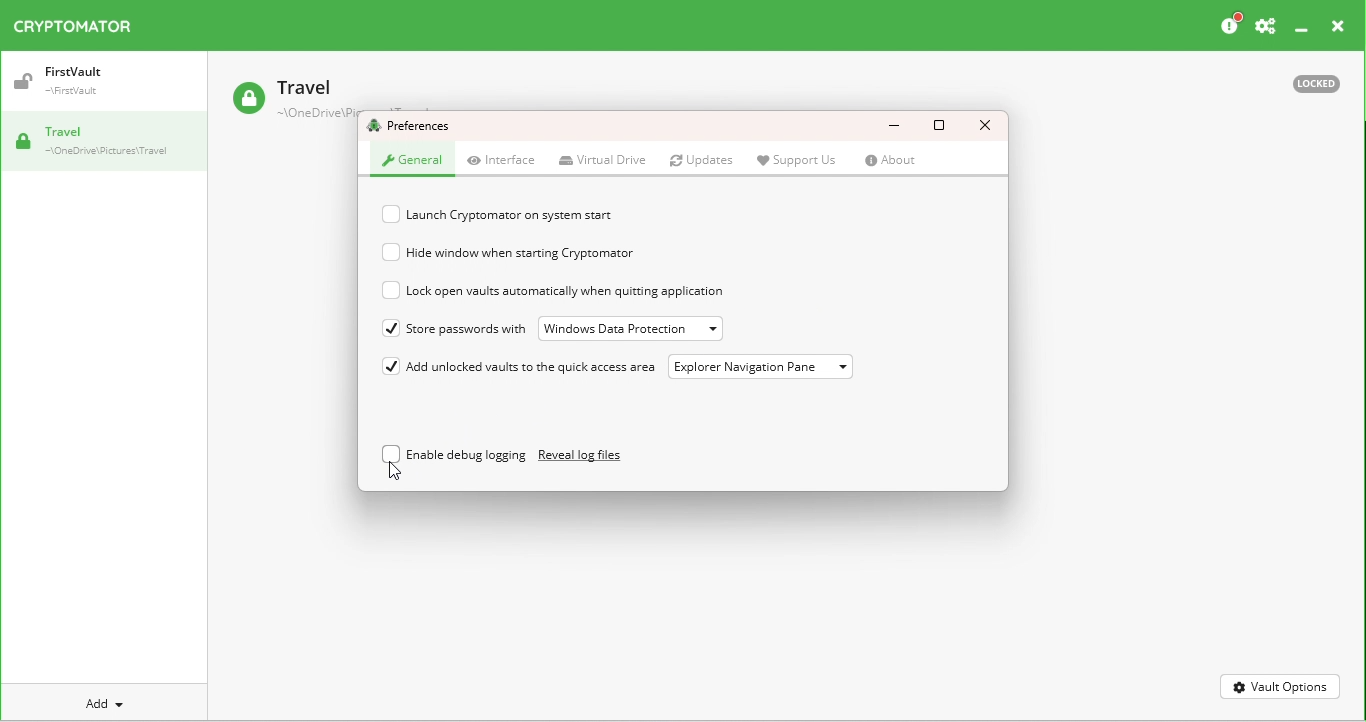  I want to click on Explore navigation pane, so click(764, 370).